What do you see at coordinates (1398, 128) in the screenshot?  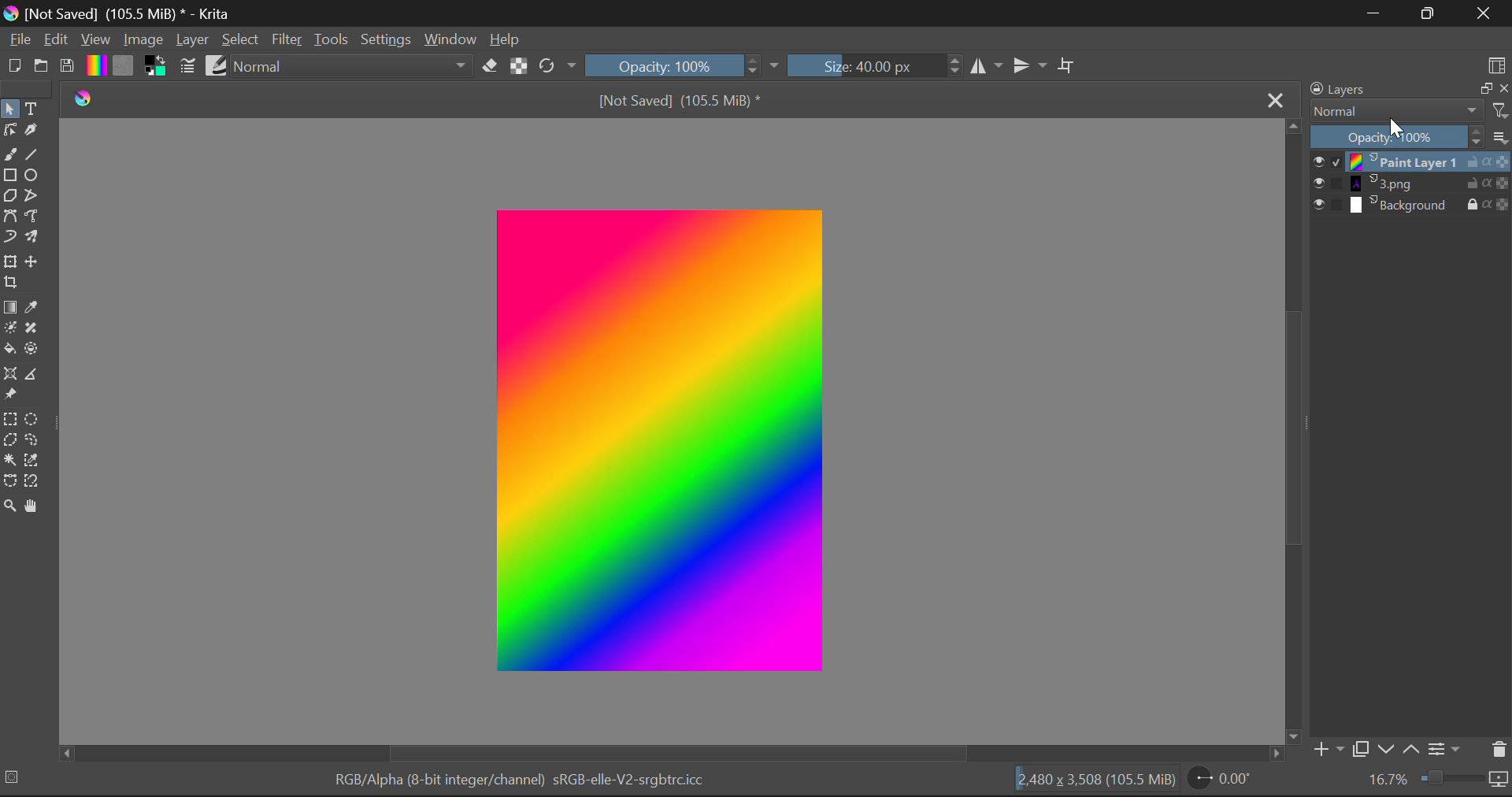 I see `cursor` at bounding box center [1398, 128].